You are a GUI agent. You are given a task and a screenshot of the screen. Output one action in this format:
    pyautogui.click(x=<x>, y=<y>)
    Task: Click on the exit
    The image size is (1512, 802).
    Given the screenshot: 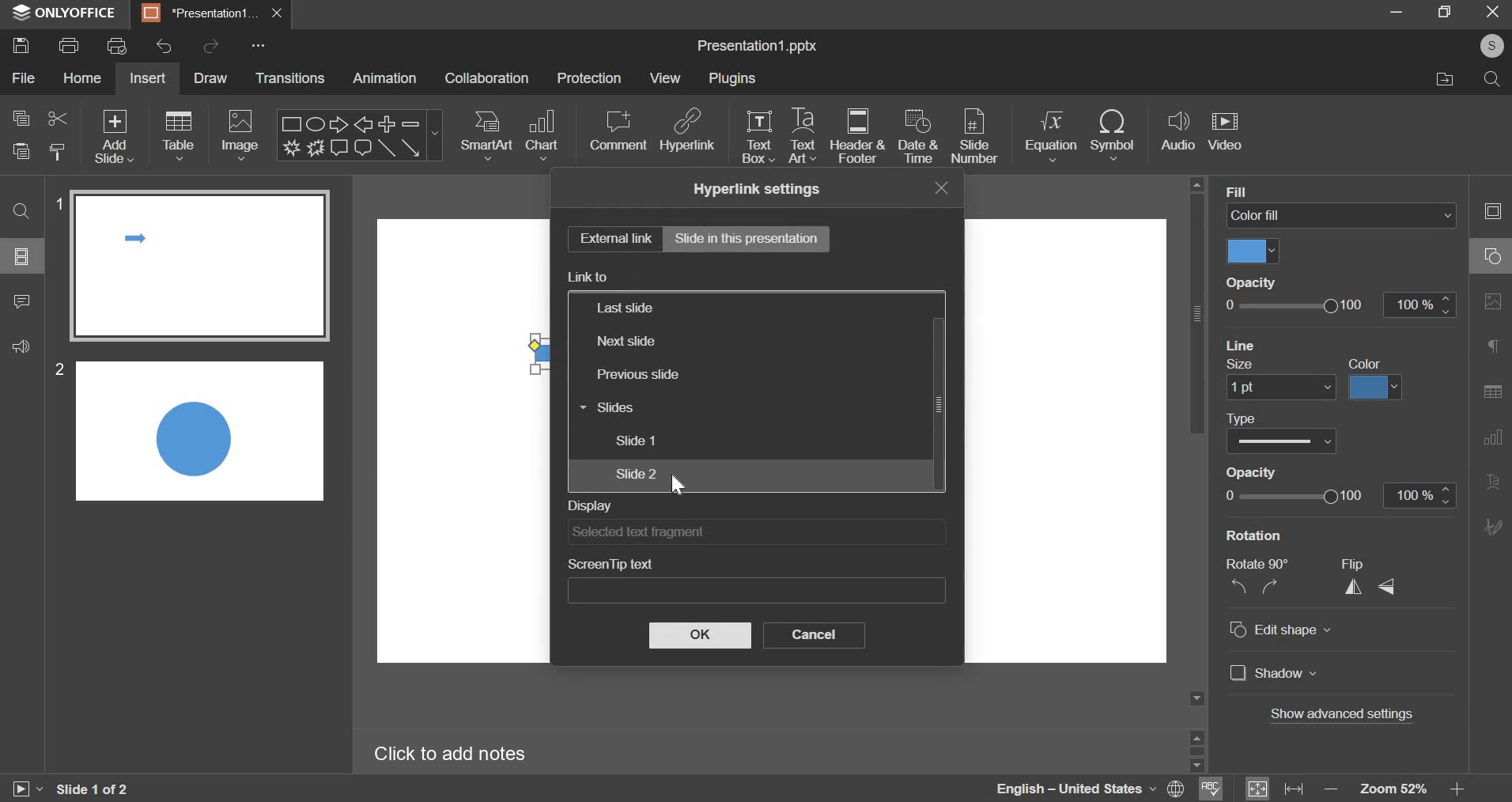 What is the action you would take?
    pyautogui.click(x=1493, y=11)
    